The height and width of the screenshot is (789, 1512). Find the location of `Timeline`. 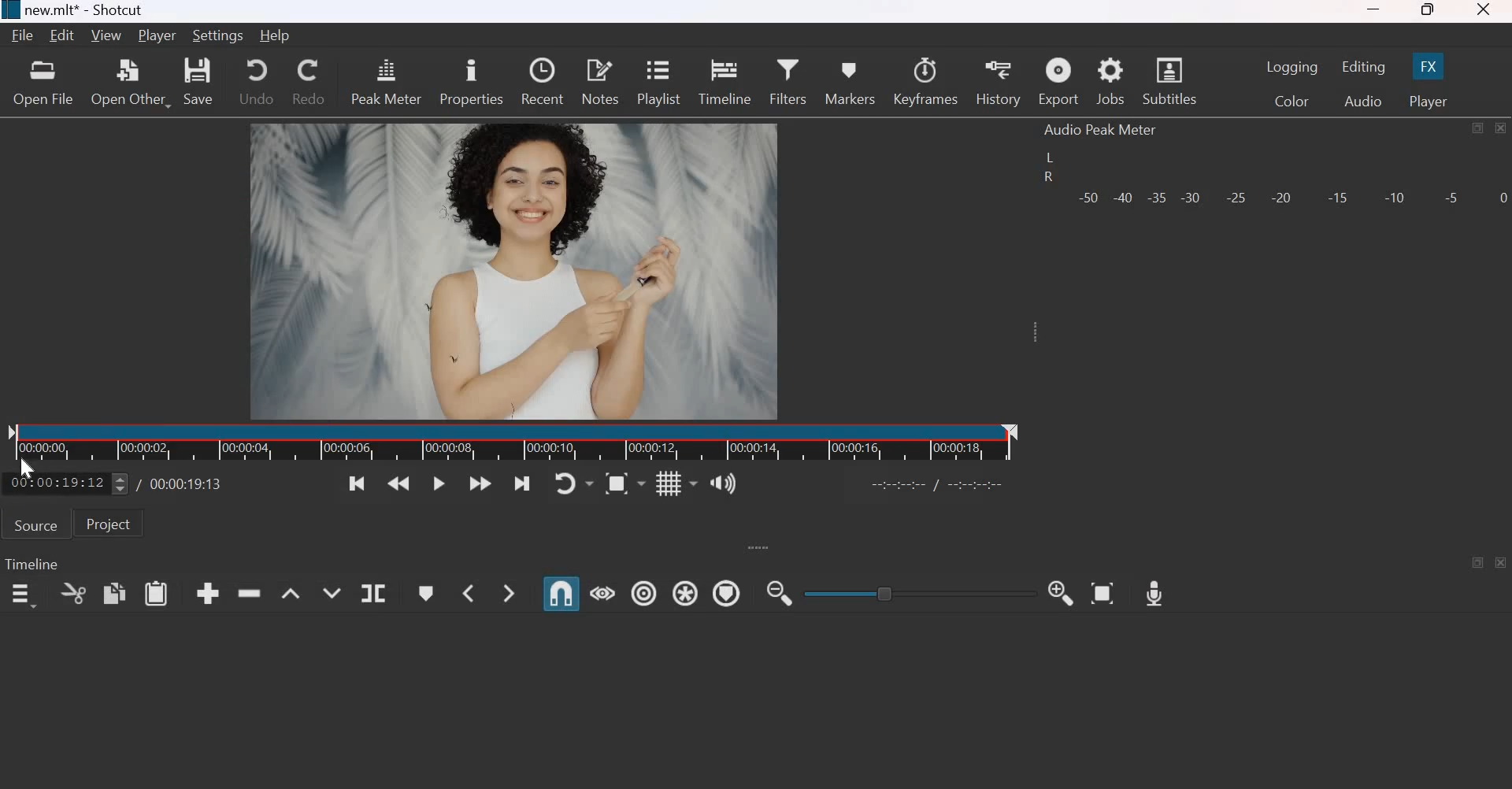

Timeline is located at coordinates (32, 563).